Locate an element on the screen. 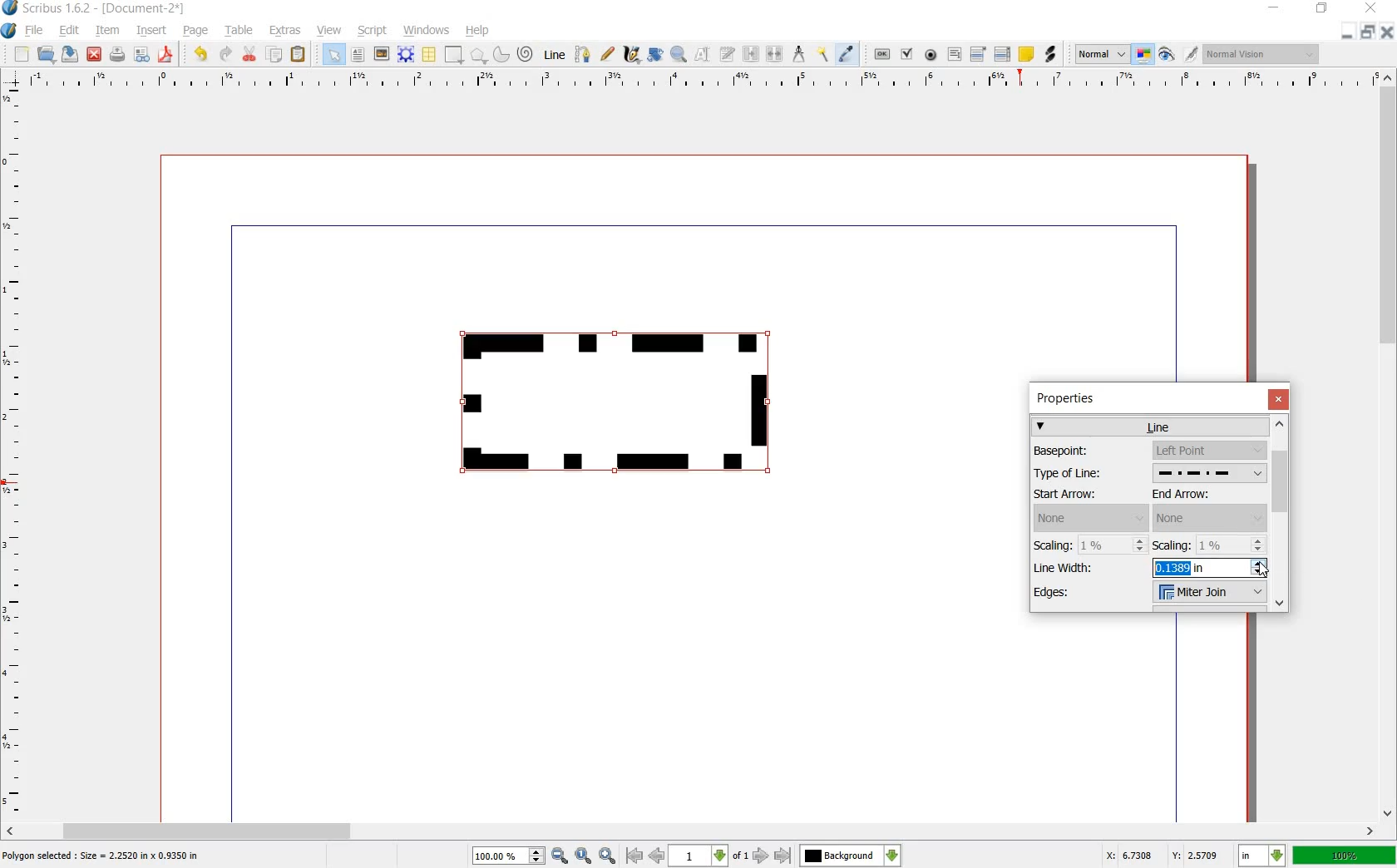 The height and width of the screenshot is (868, 1397). SHAPE is located at coordinates (453, 54).